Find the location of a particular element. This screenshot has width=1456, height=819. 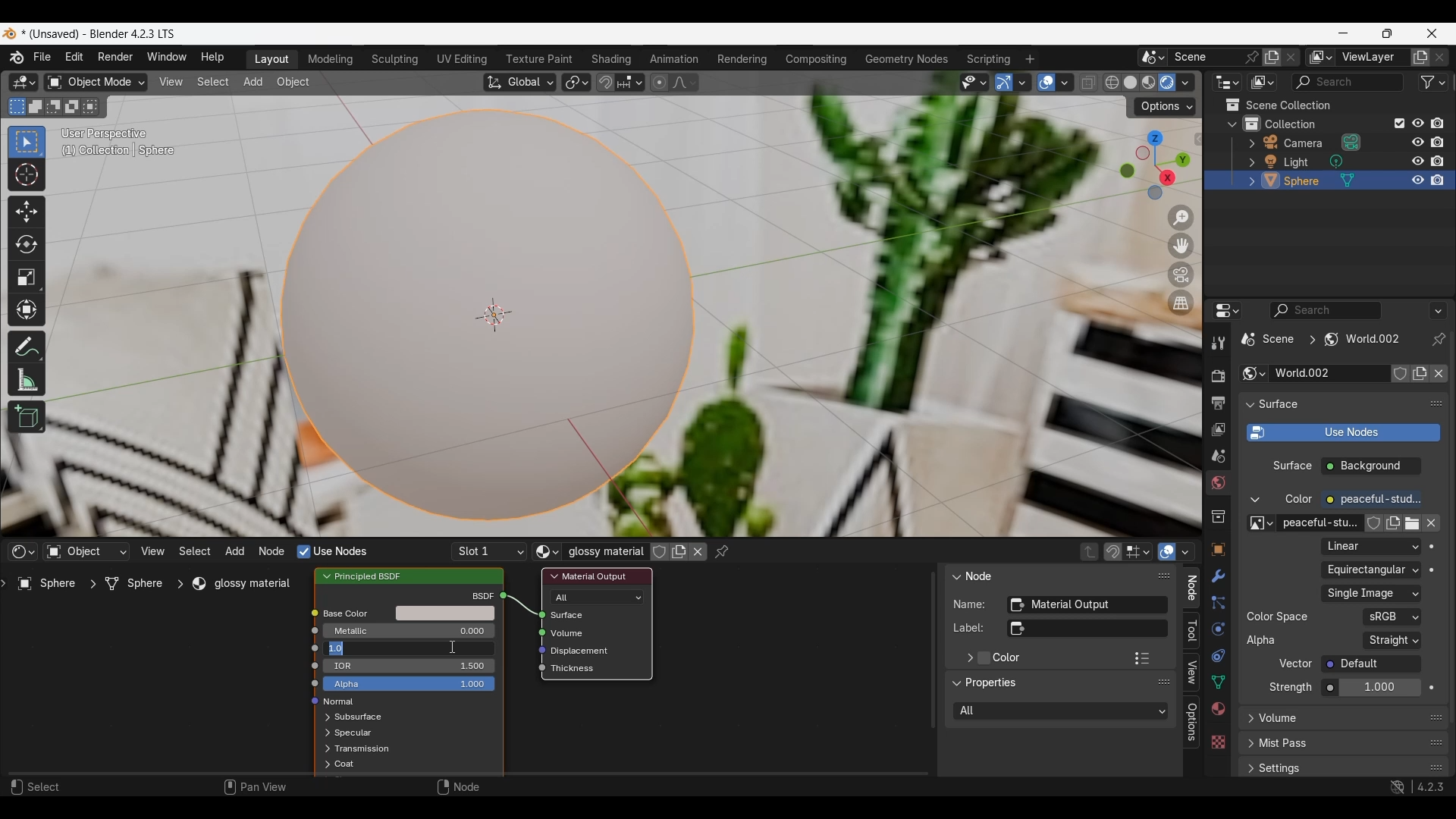

surface is located at coordinates (1292, 467).